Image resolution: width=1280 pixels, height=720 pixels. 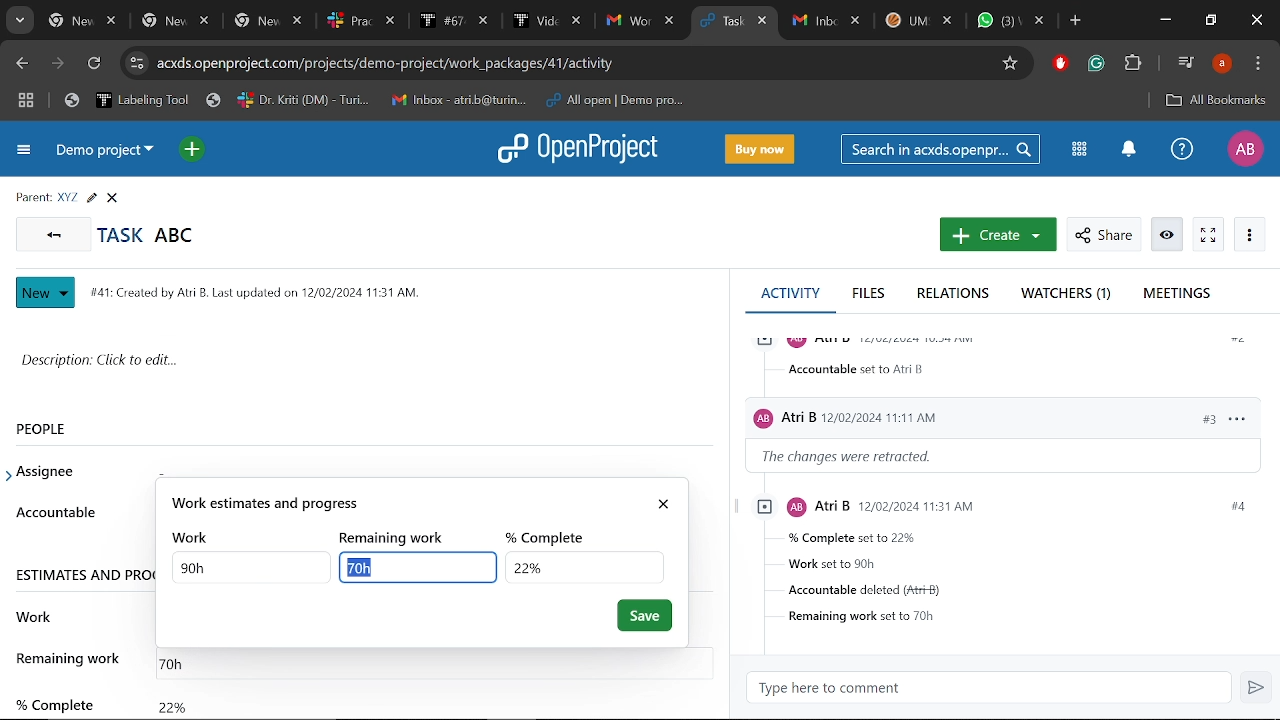 I want to click on scrollbar, so click(x=725, y=436).